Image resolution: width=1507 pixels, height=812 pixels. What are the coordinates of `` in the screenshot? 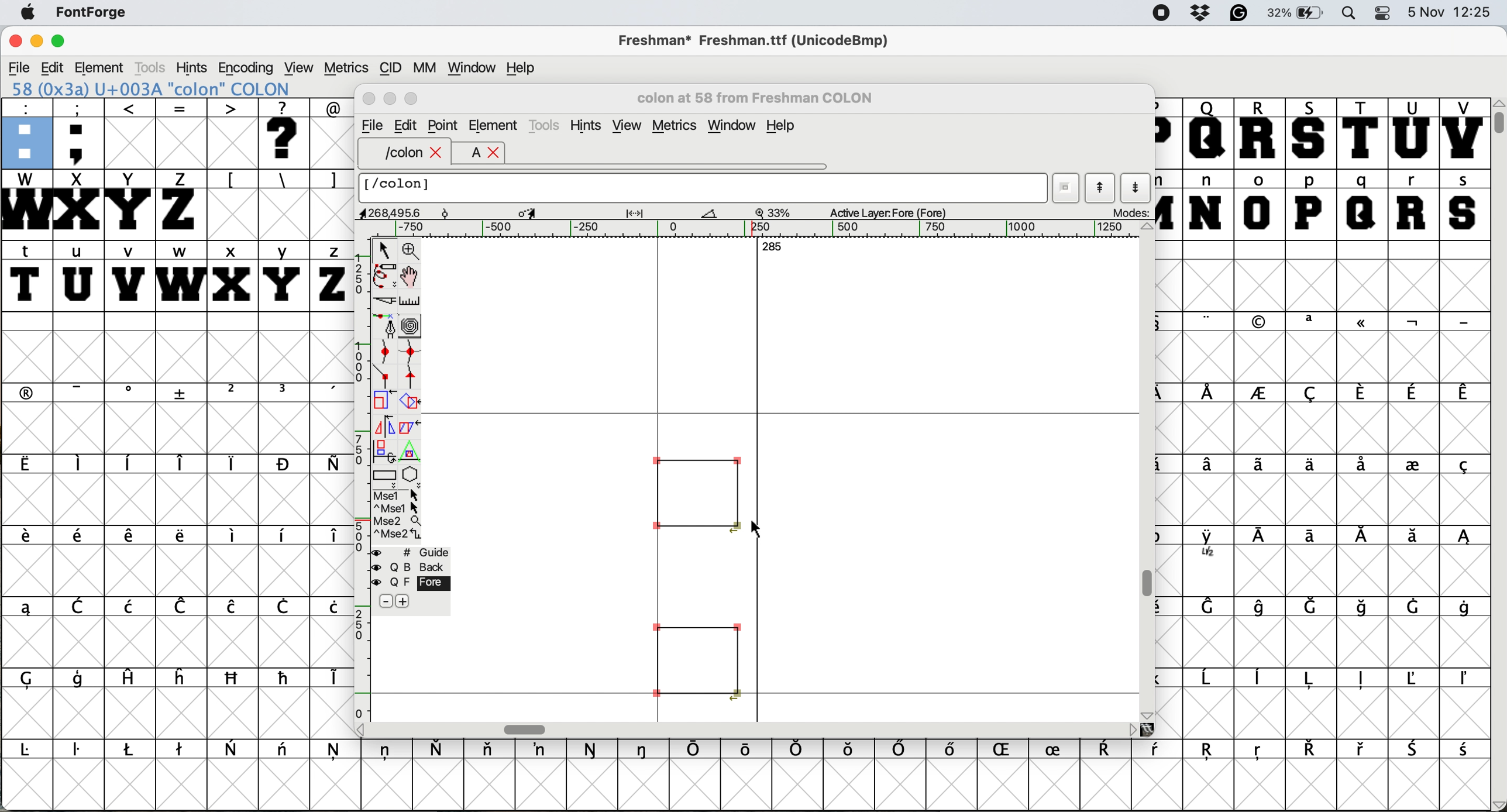 It's located at (234, 394).